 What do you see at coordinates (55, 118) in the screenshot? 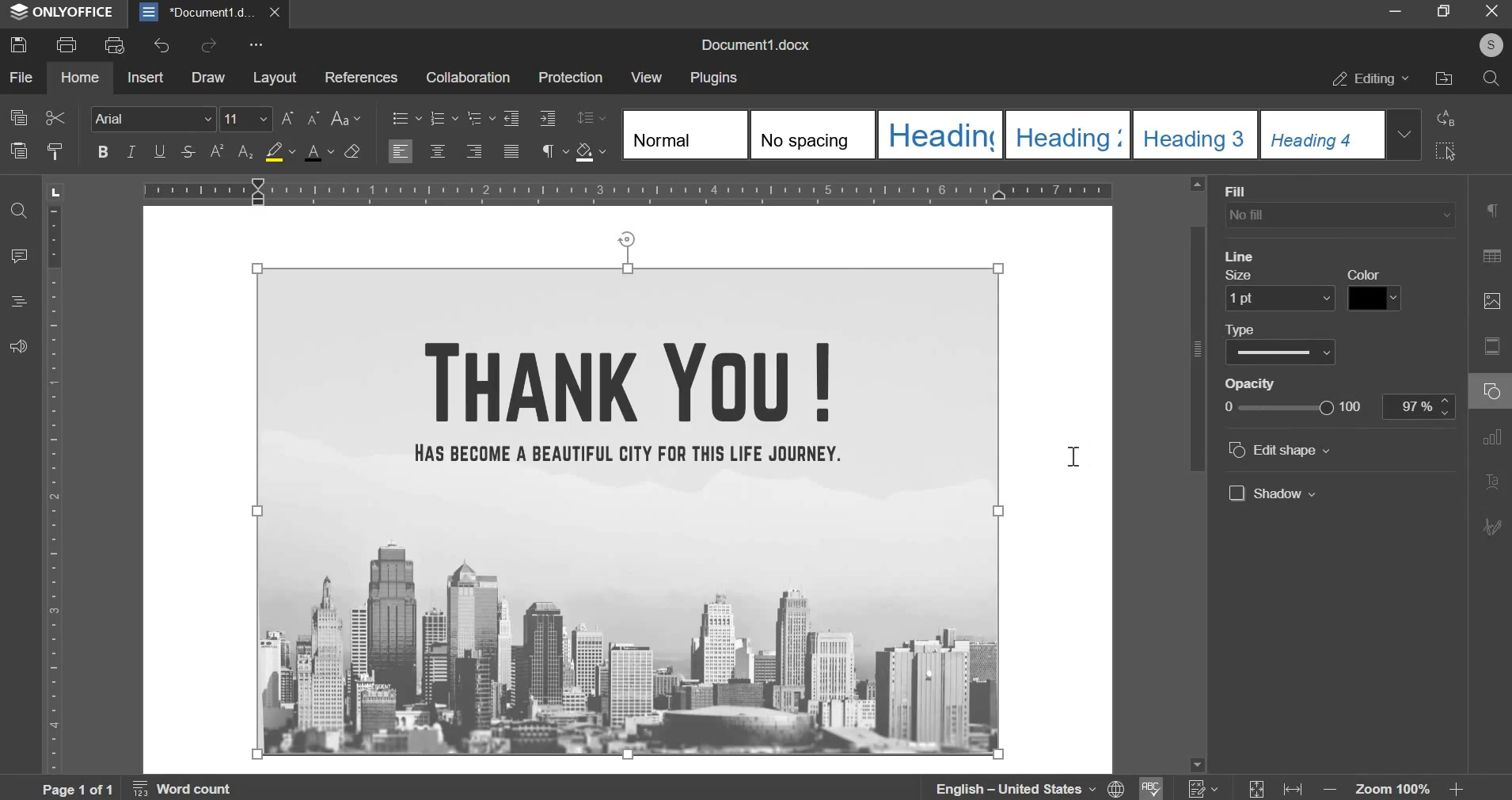
I see `cut` at bounding box center [55, 118].